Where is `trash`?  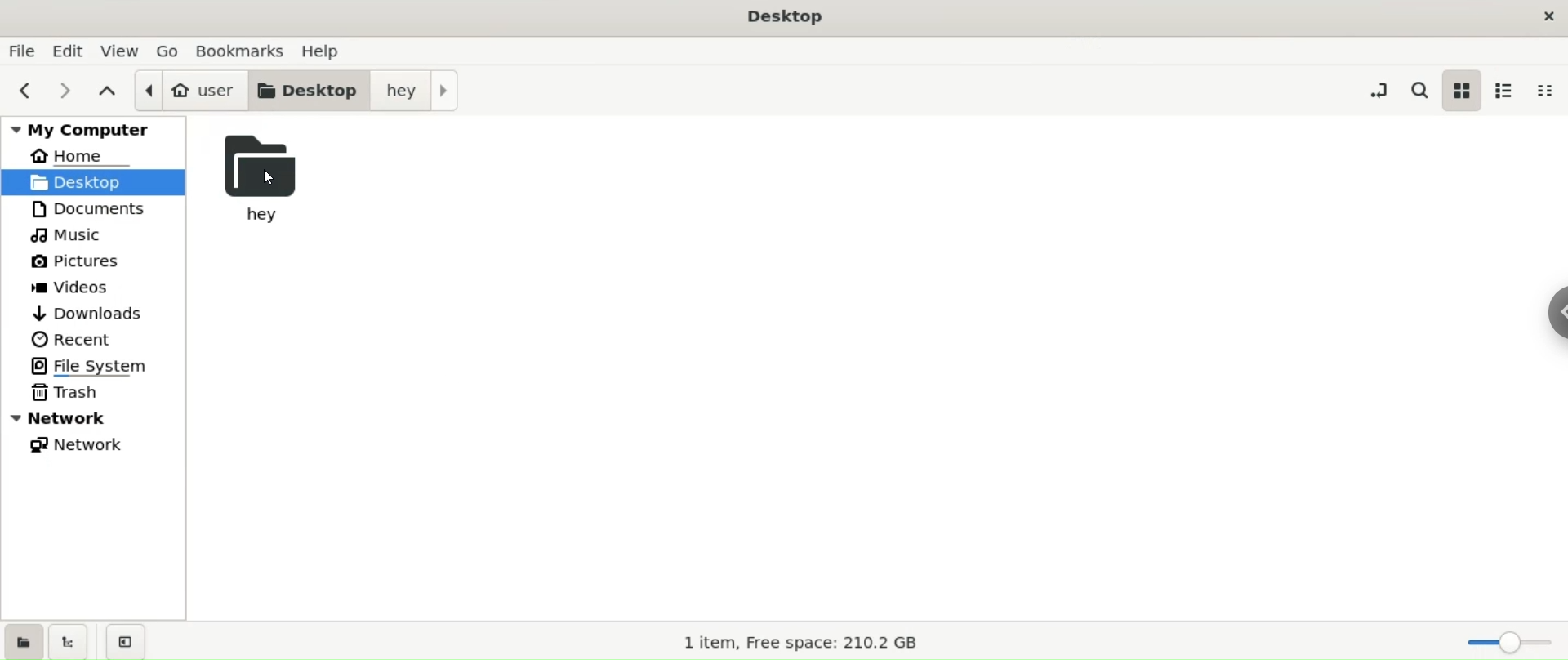
trash is located at coordinates (99, 393).